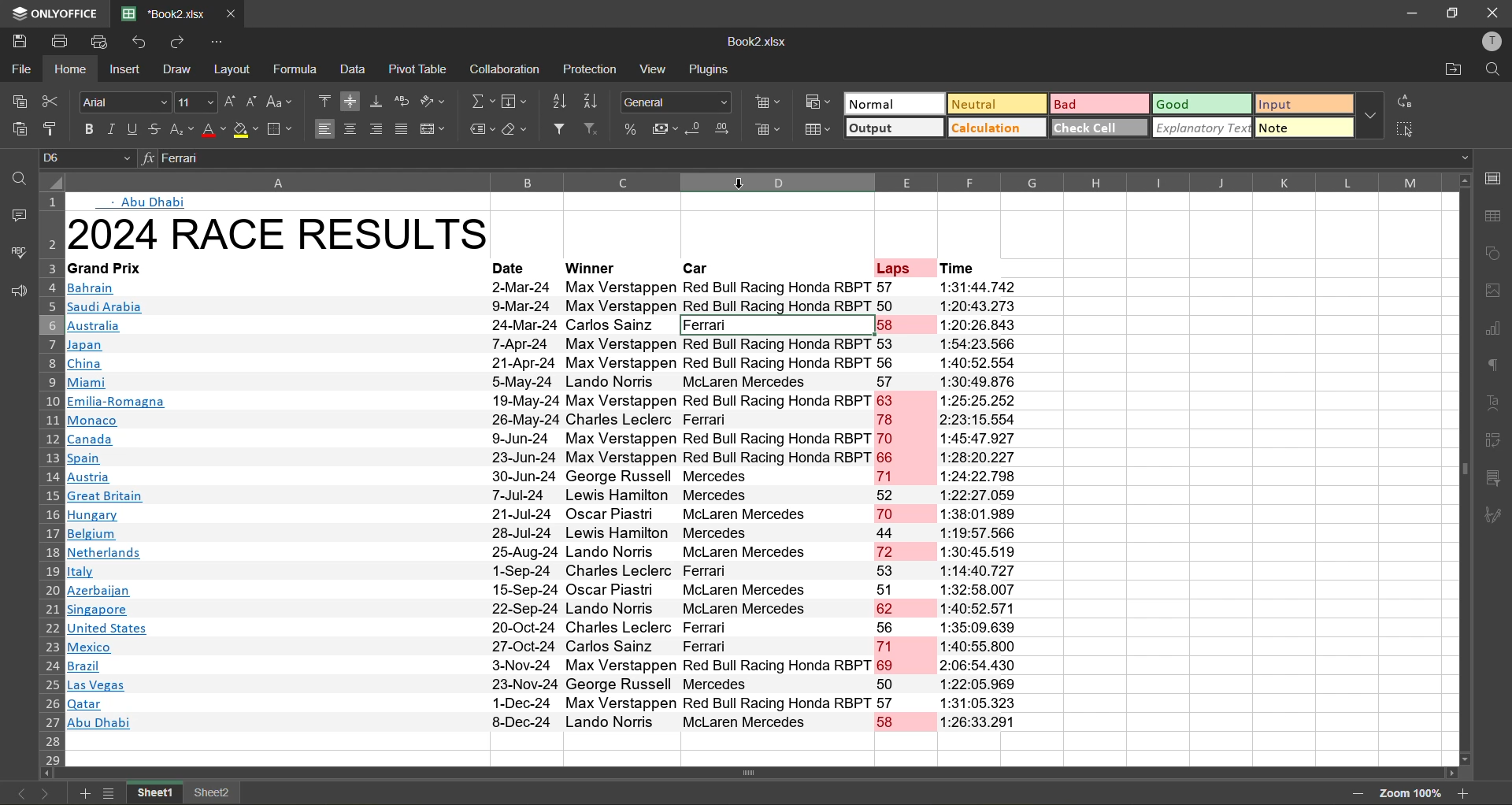 This screenshot has height=805, width=1512. What do you see at coordinates (18, 252) in the screenshot?
I see `spellcheck` at bounding box center [18, 252].